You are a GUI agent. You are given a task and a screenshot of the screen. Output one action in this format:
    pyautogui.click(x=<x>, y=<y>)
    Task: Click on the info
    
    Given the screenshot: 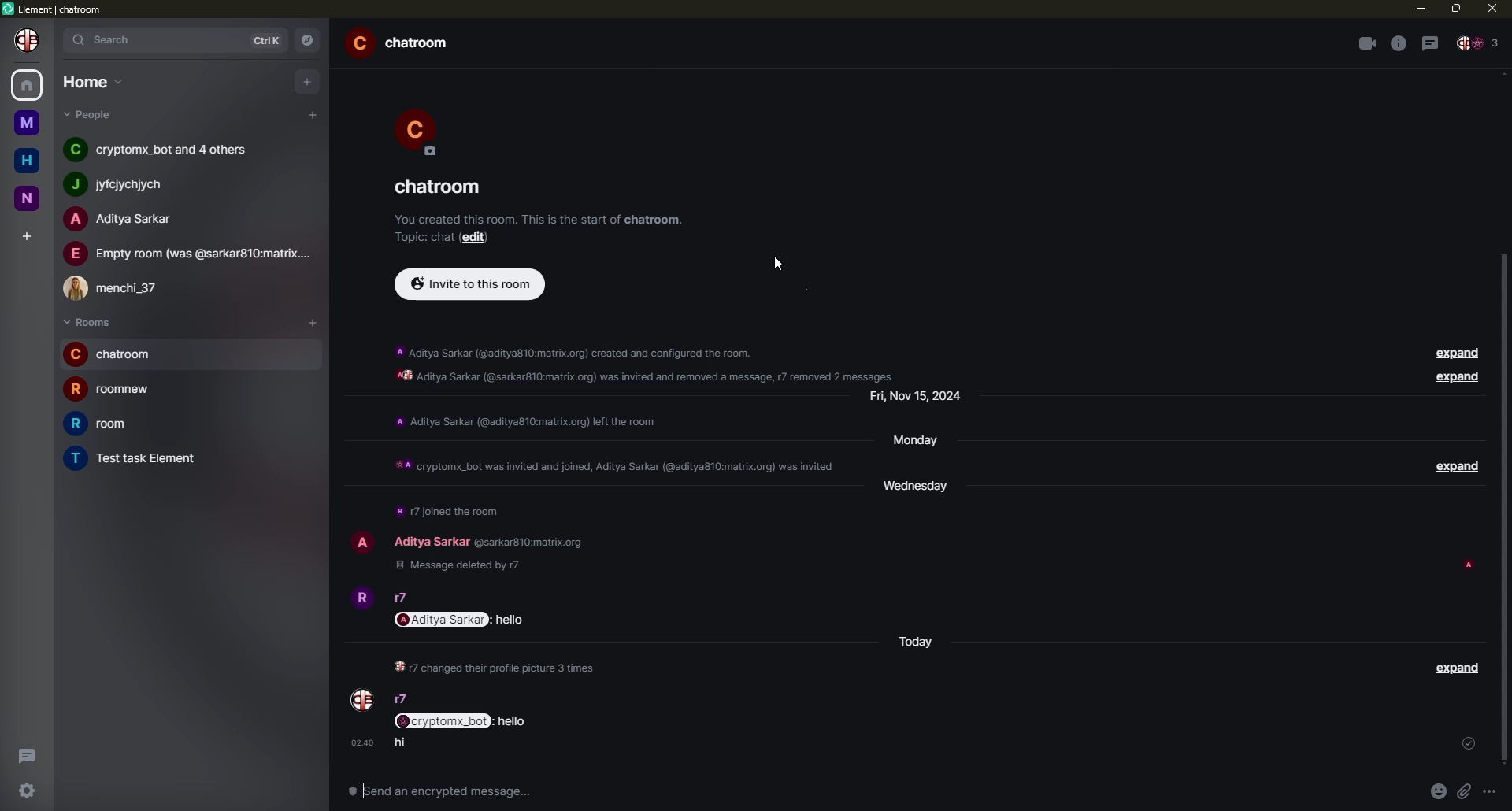 What is the action you would take?
    pyautogui.click(x=643, y=362)
    